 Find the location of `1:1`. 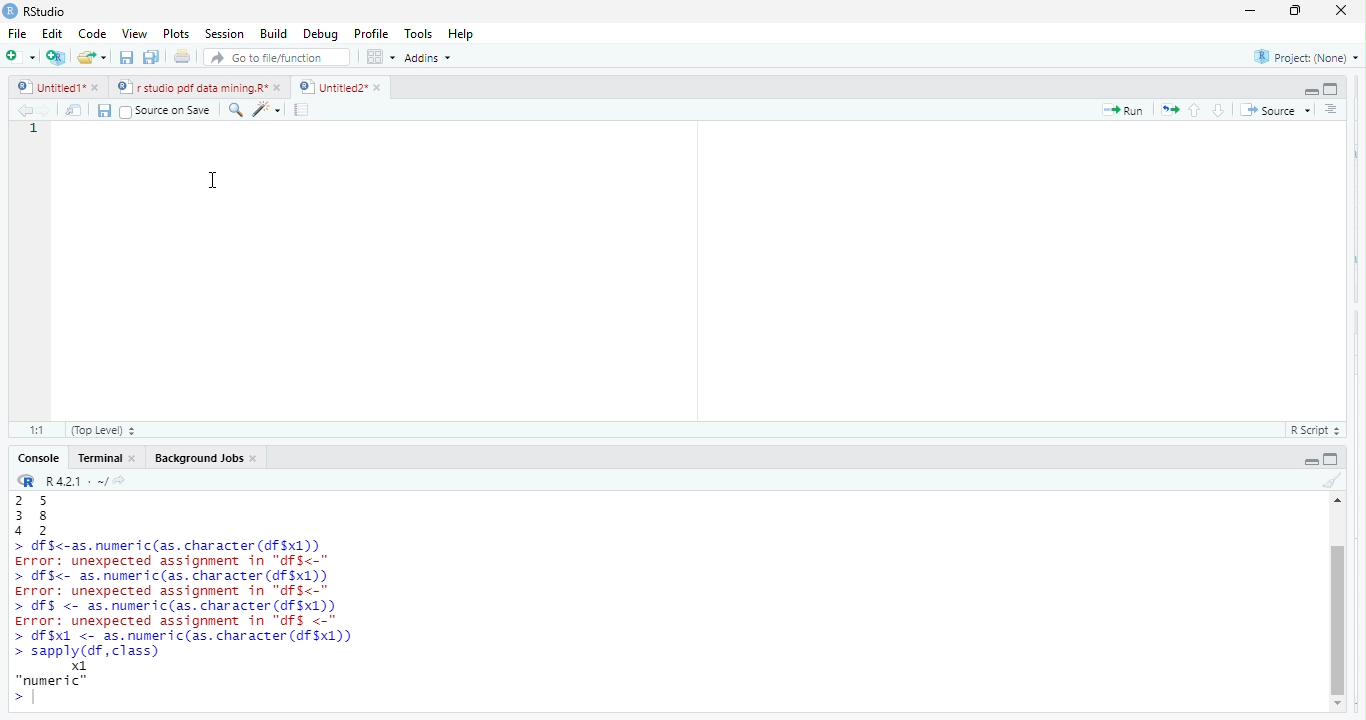

1:1 is located at coordinates (37, 430).